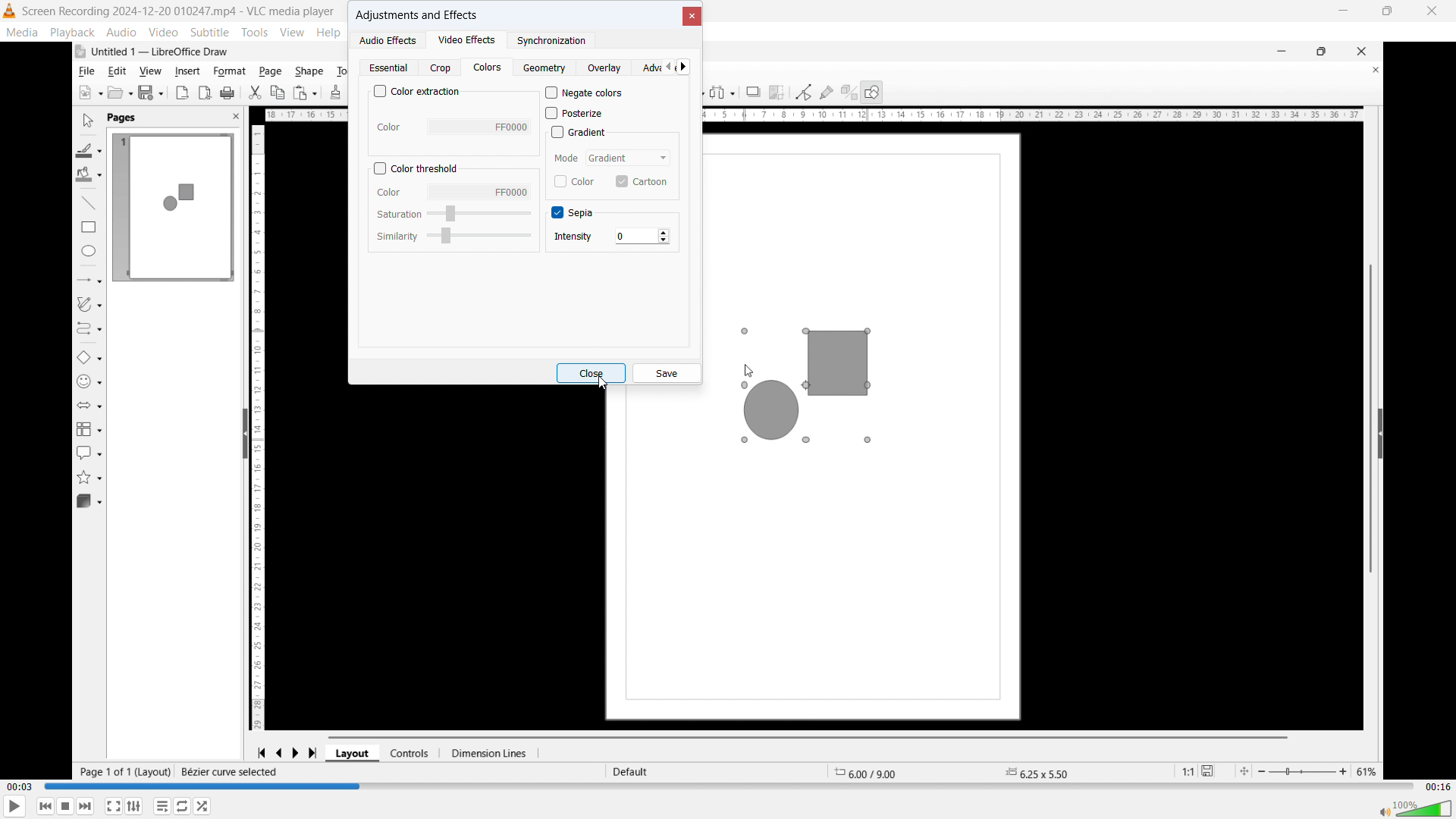  Describe the element at coordinates (133, 807) in the screenshot. I see `Show extended settings` at that location.